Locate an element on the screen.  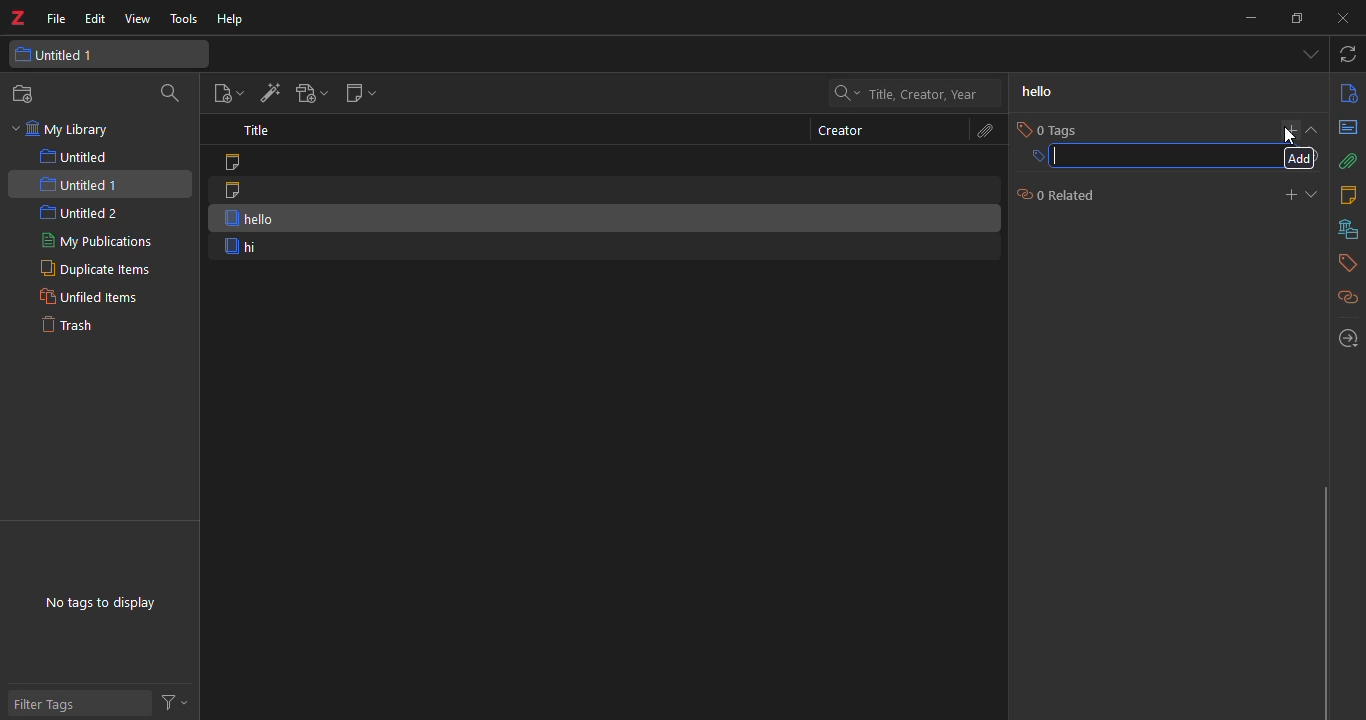
new collection is located at coordinates (24, 95).